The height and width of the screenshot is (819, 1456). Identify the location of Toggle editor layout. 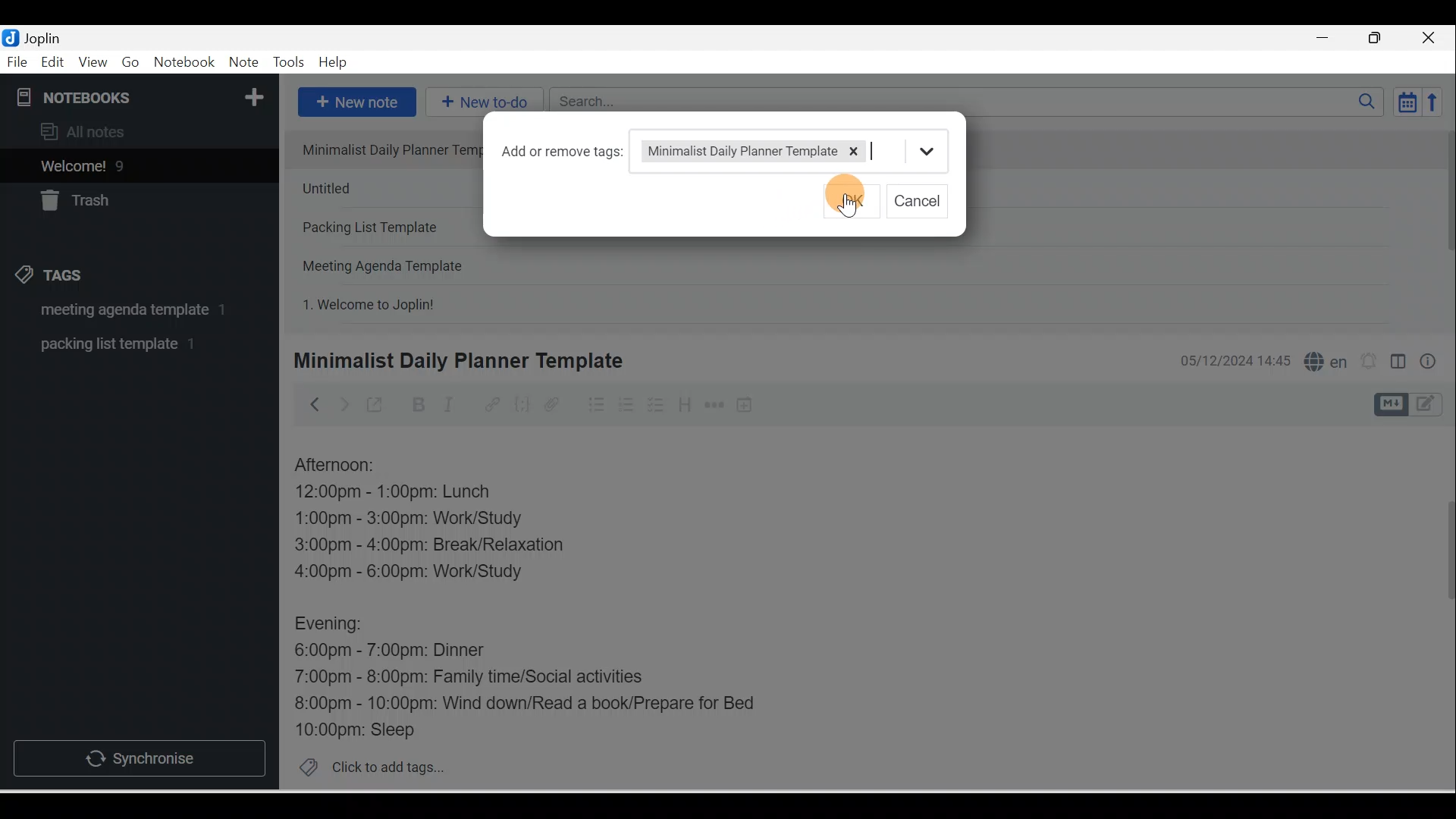
(1414, 405).